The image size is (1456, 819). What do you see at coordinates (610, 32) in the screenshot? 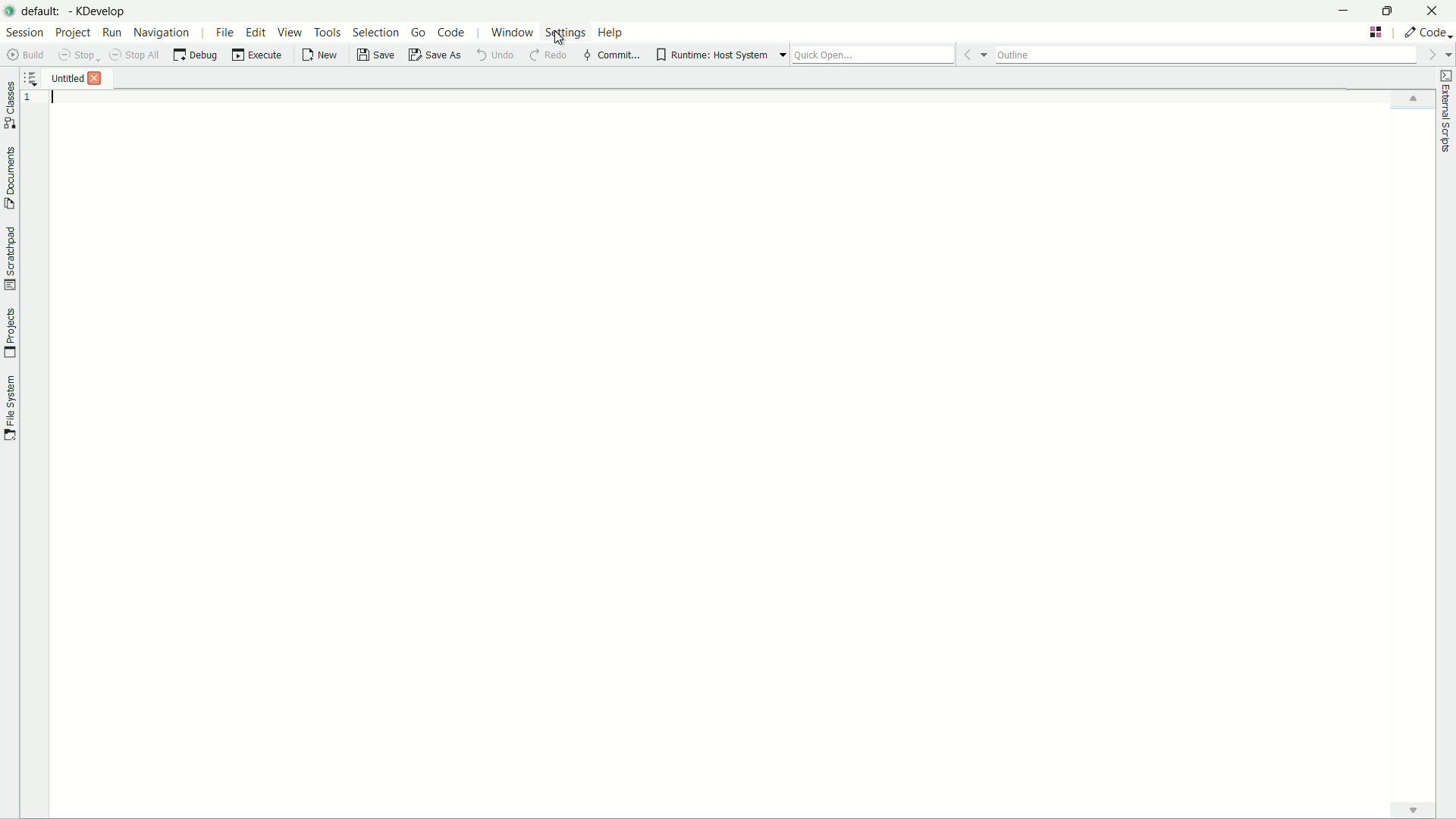
I see `help` at bounding box center [610, 32].